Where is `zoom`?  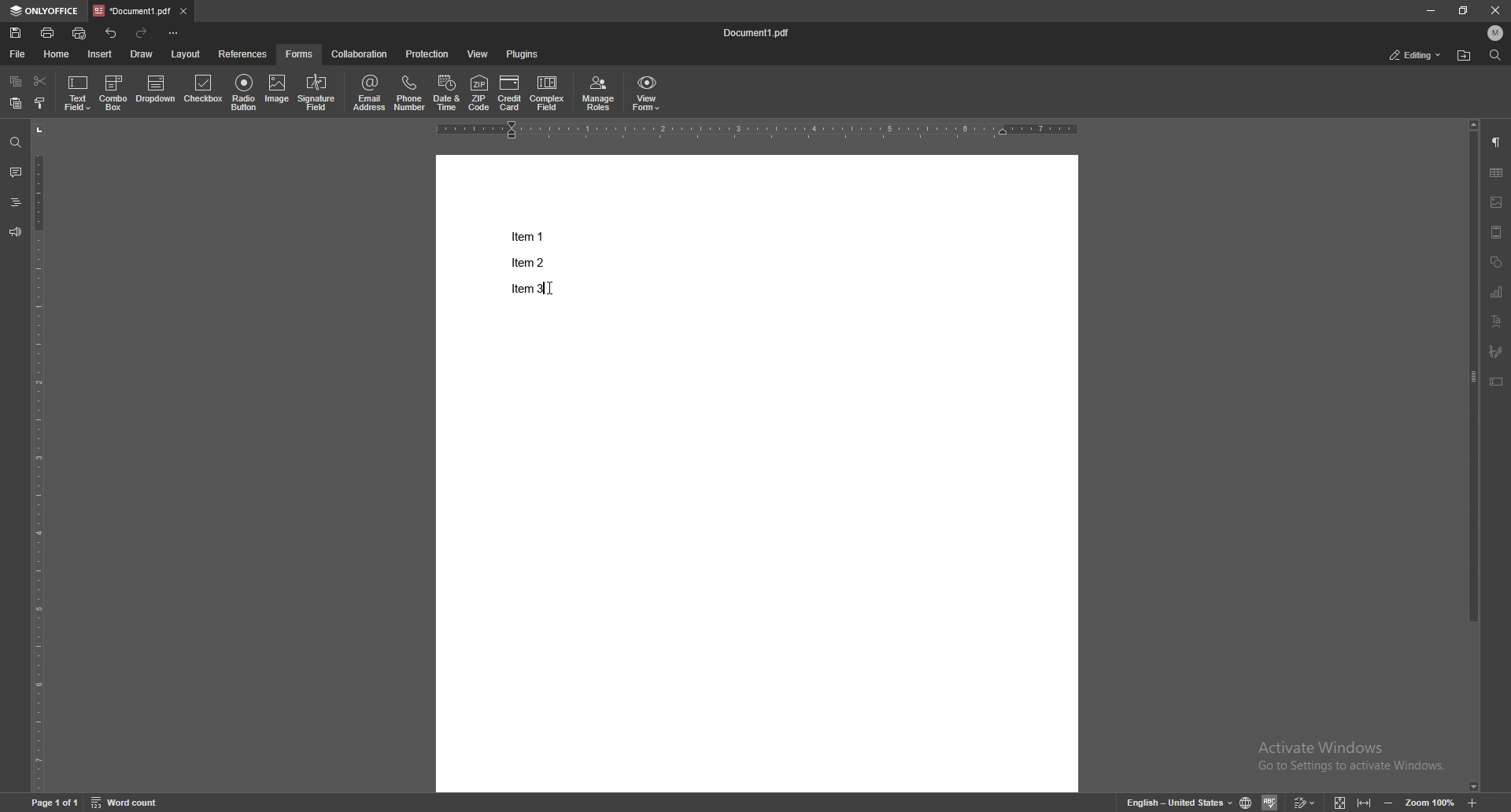 zoom is located at coordinates (1429, 801).